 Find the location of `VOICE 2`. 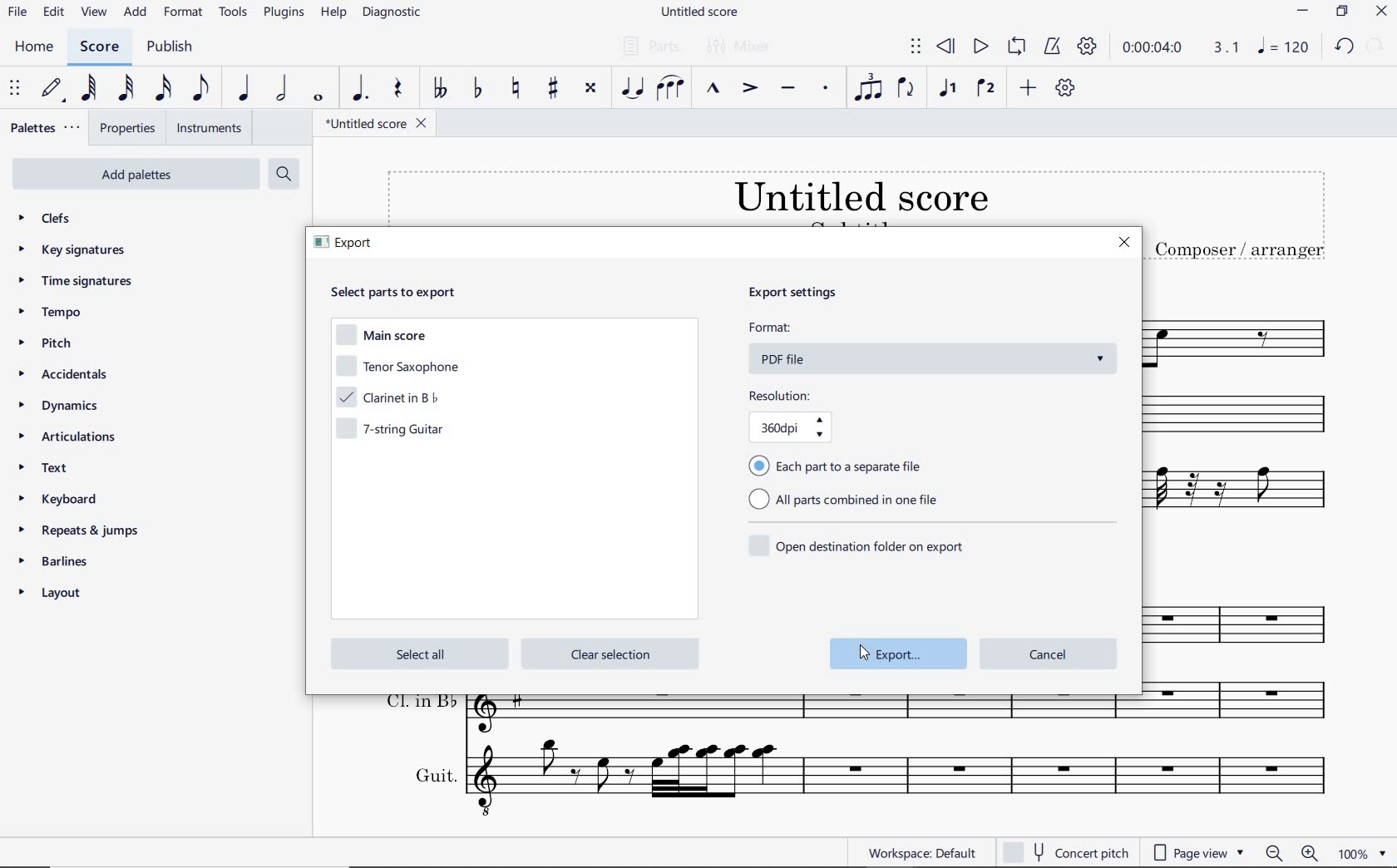

VOICE 2 is located at coordinates (987, 88).